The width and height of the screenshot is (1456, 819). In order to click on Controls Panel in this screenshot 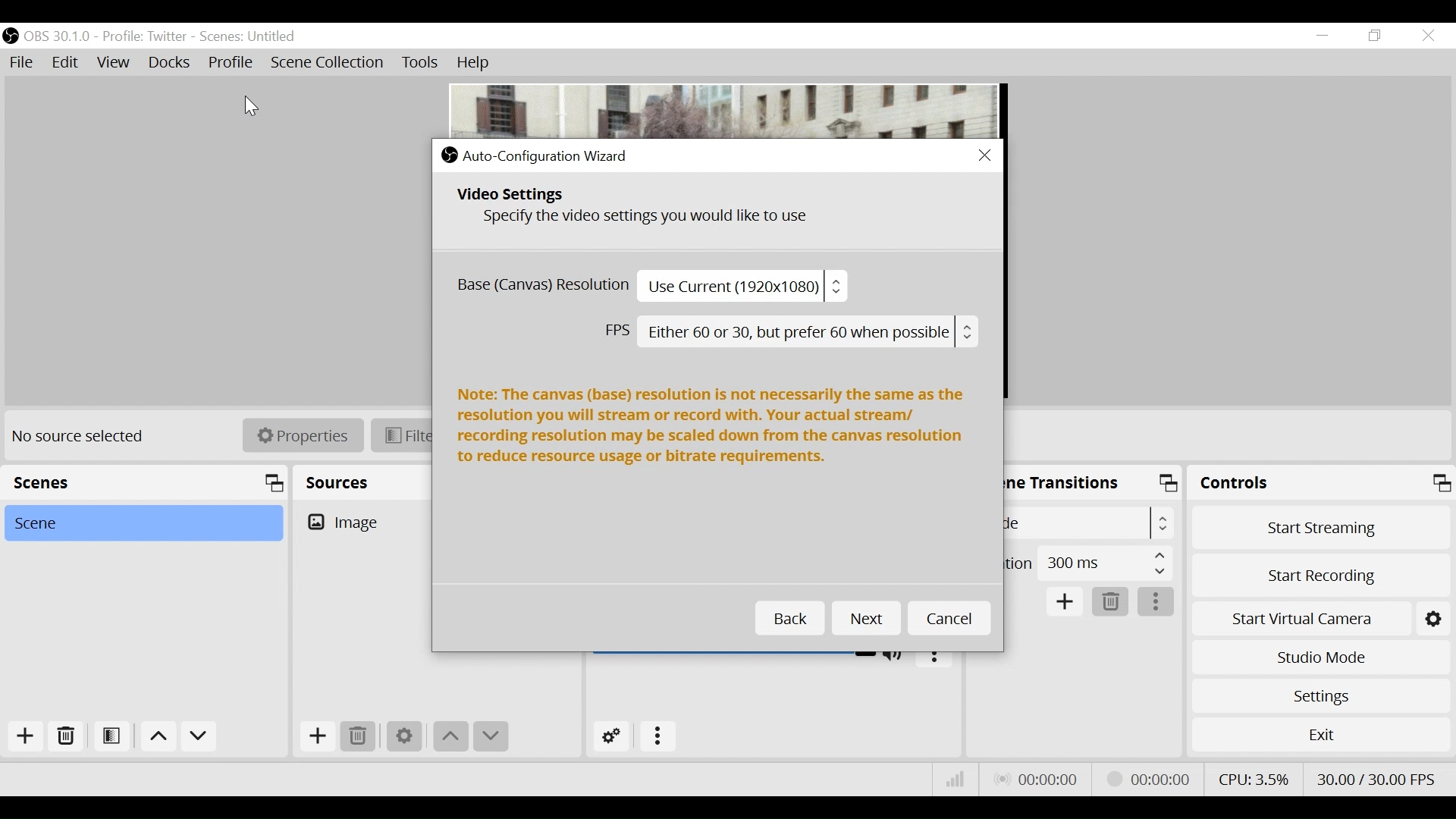, I will do `click(1323, 483)`.